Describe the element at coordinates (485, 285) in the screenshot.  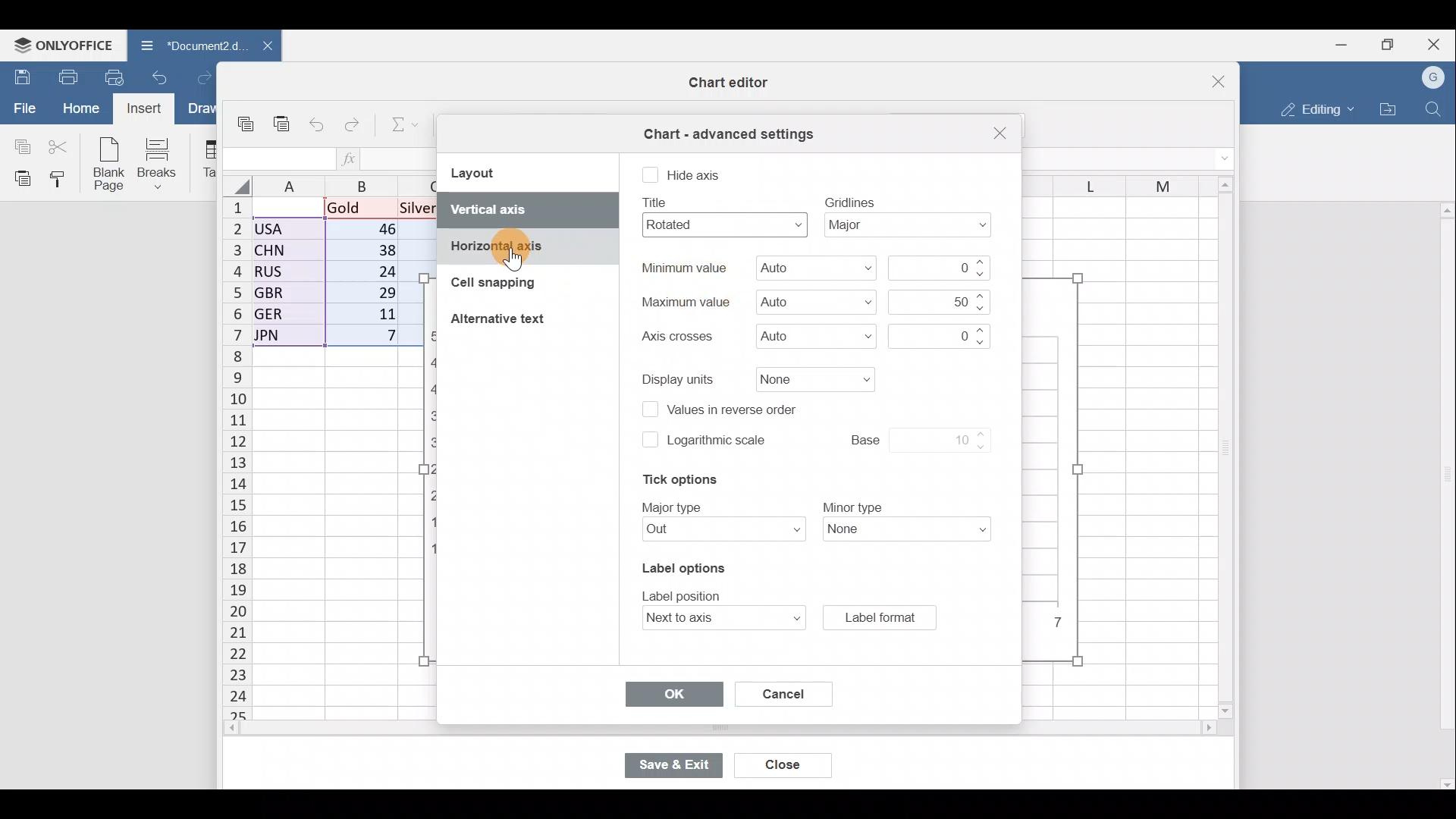
I see `Cell snapping` at that location.